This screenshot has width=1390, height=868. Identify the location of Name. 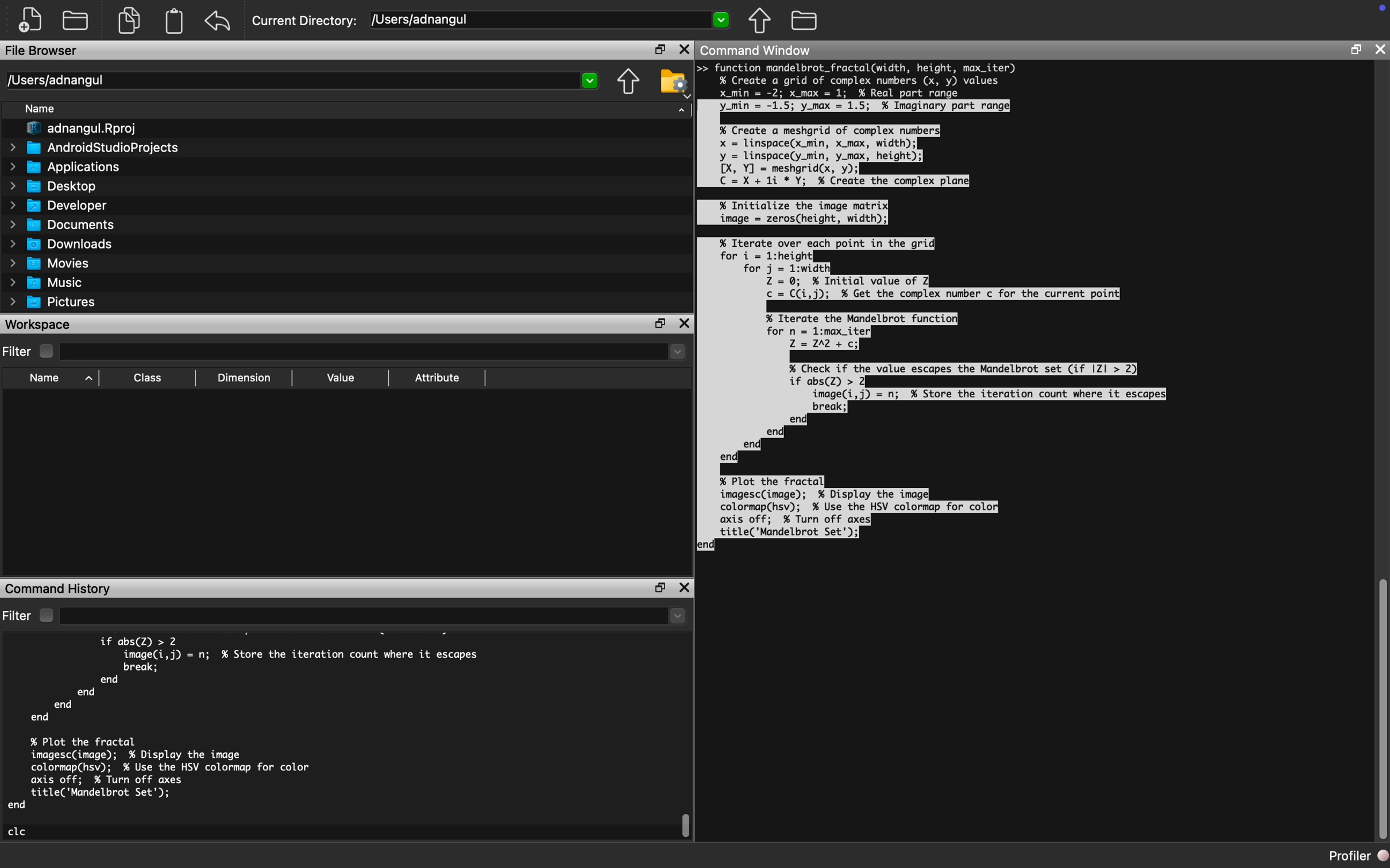
(39, 108).